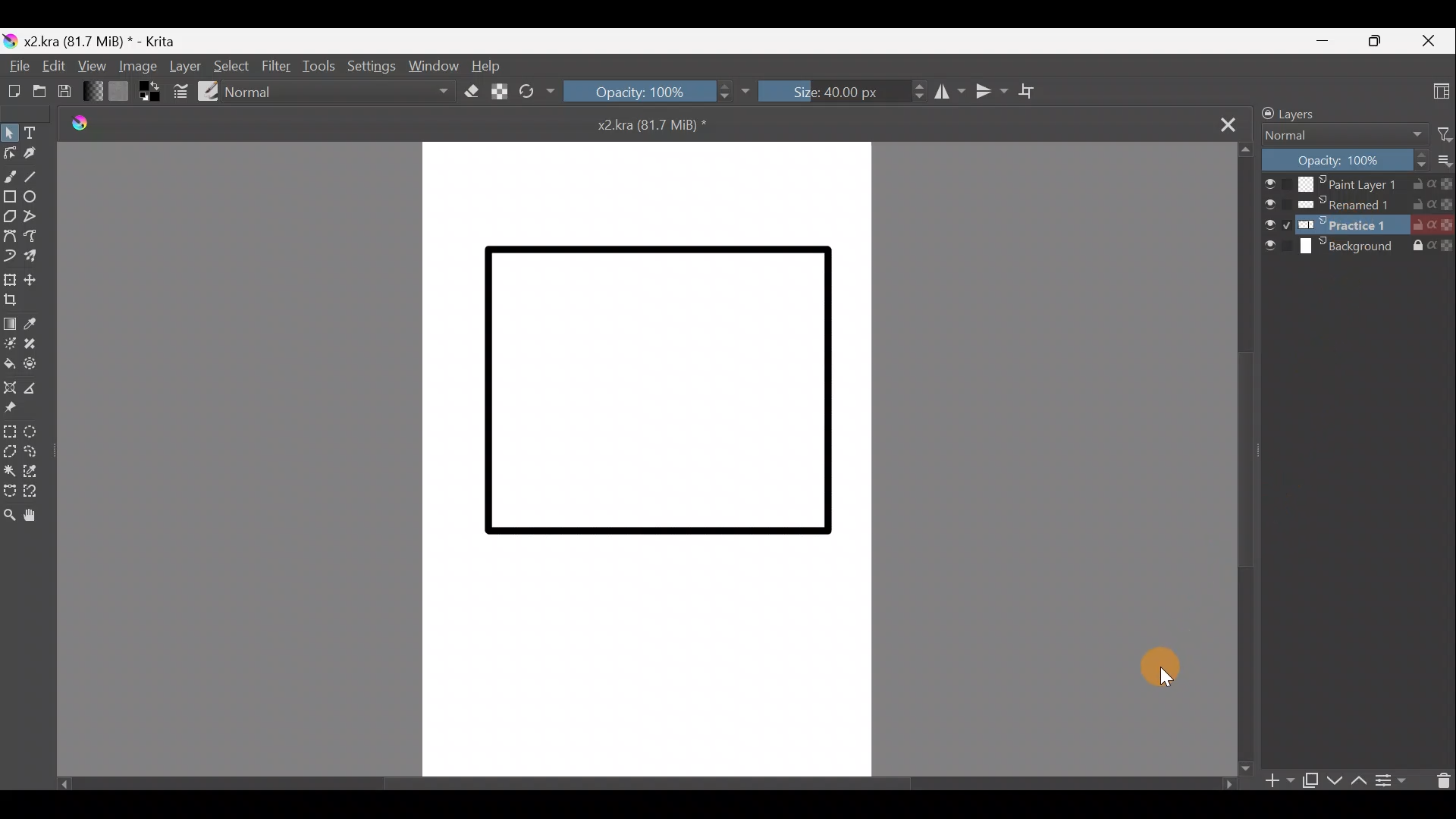 The width and height of the screenshot is (1456, 819). What do you see at coordinates (320, 67) in the screenshot?
I see `Tools` at bounding box center [320, 67].